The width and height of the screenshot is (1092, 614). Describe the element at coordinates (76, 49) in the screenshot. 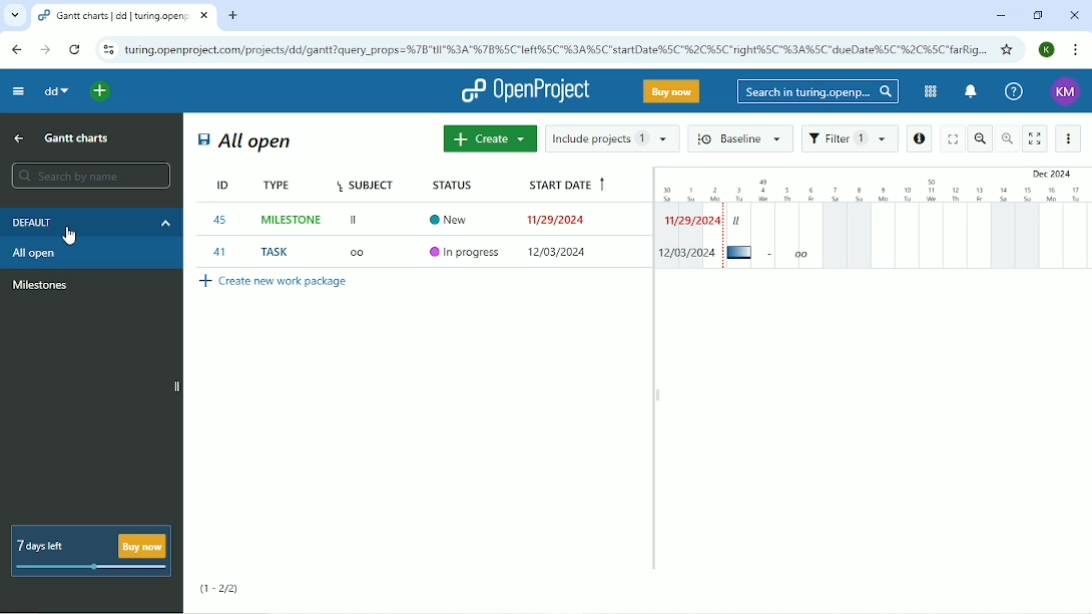

I see `Reload this page` at that location.